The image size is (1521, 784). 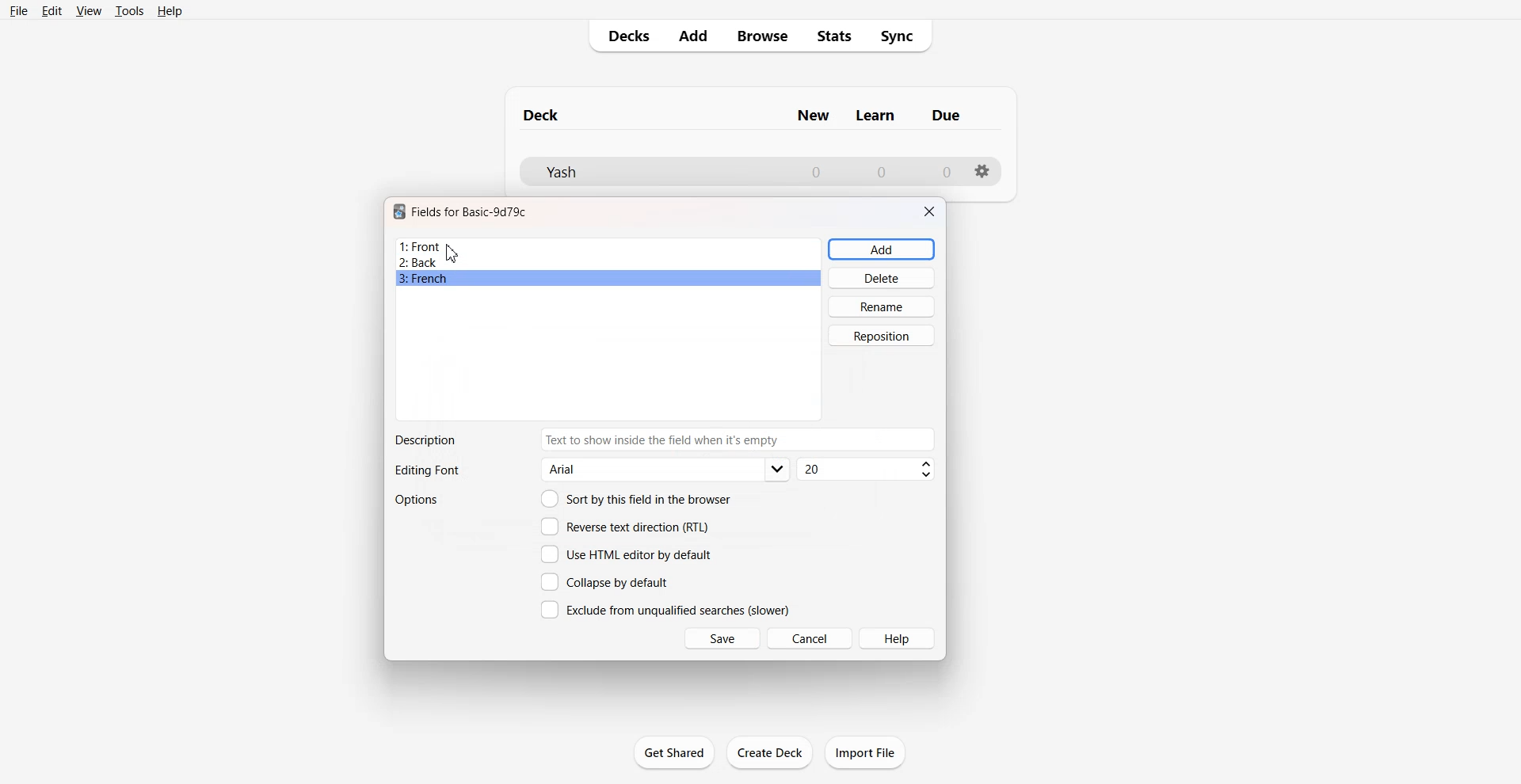 What do you see at coordinates (623, 36) in the screenshot?
I see `Decks` at bounding box center [623, 36].